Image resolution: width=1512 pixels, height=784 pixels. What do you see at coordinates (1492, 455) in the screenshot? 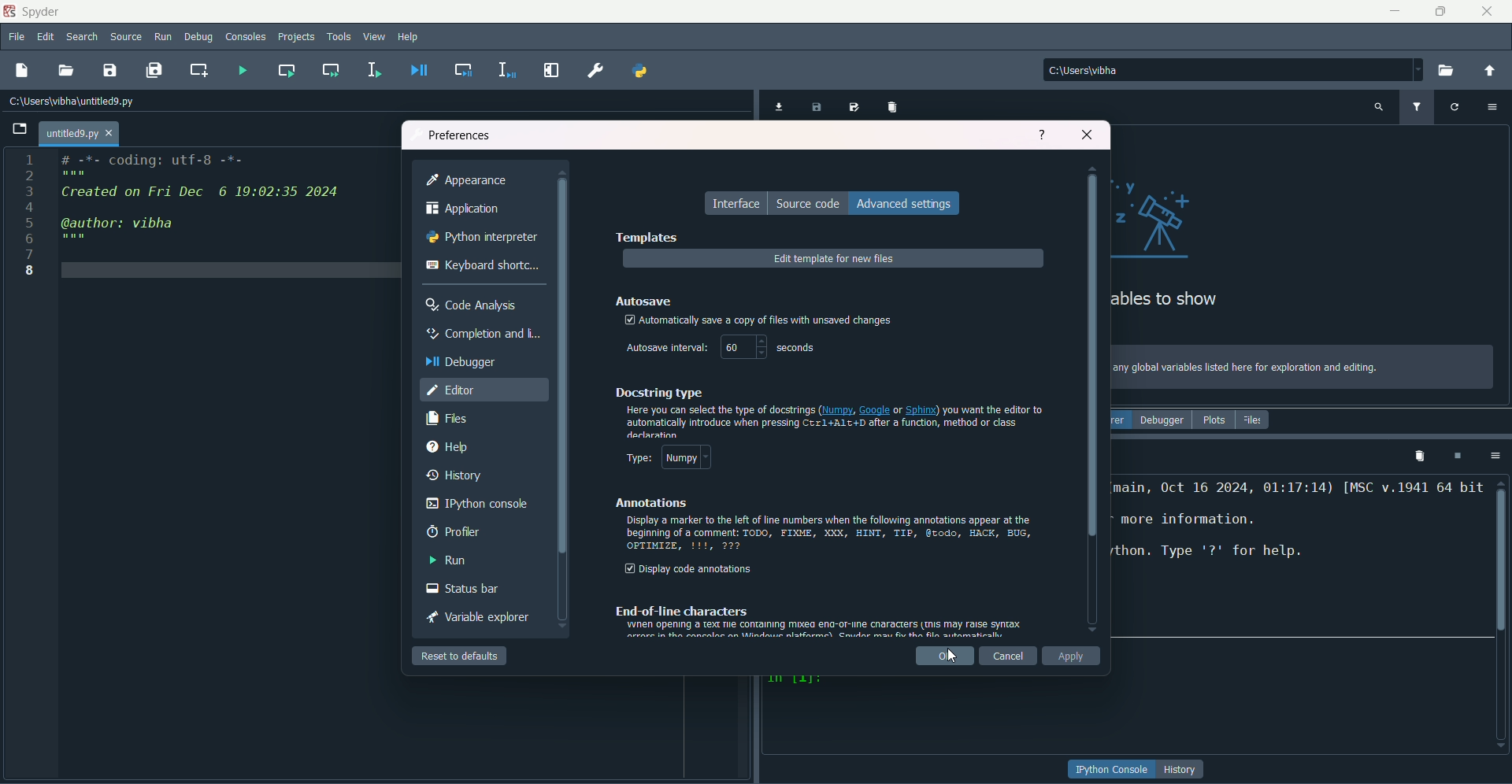
I see `options` at bounding box center [1492, 455].